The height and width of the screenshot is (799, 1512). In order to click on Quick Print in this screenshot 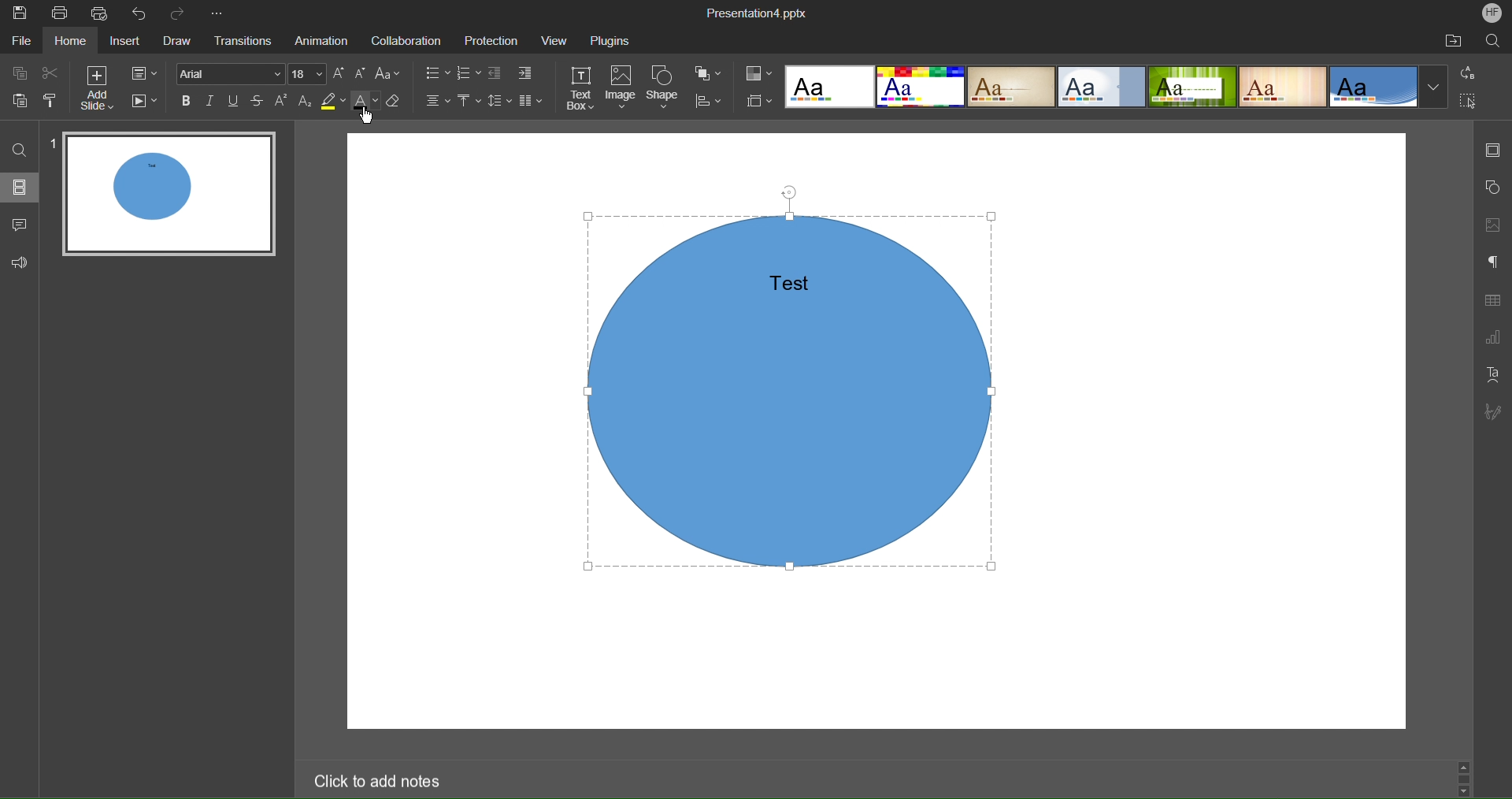, I will do `click(102, 14)`.